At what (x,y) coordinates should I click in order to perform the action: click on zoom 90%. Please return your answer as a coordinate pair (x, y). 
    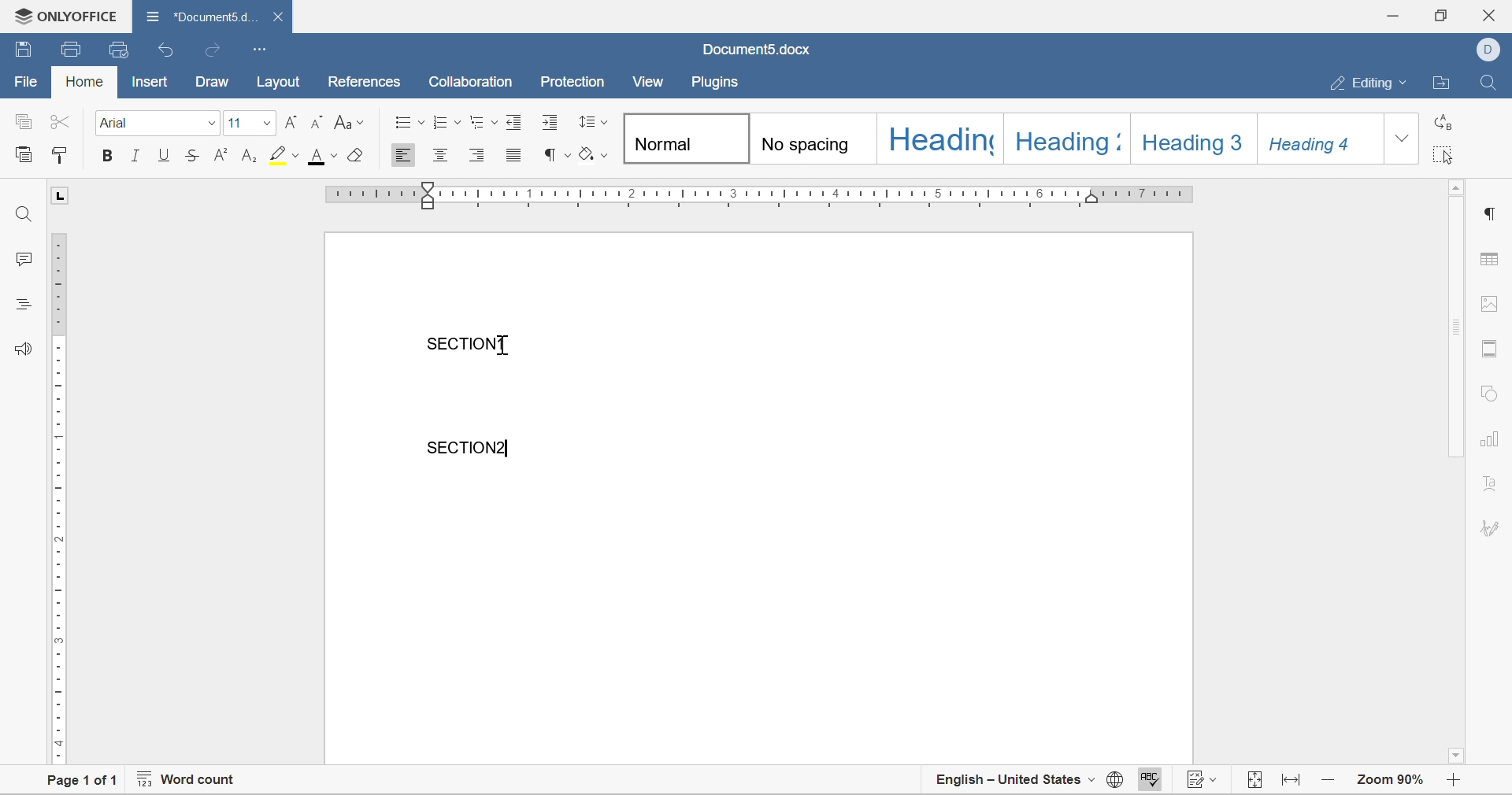
    Looking at the image, I should click on (1390, 778).